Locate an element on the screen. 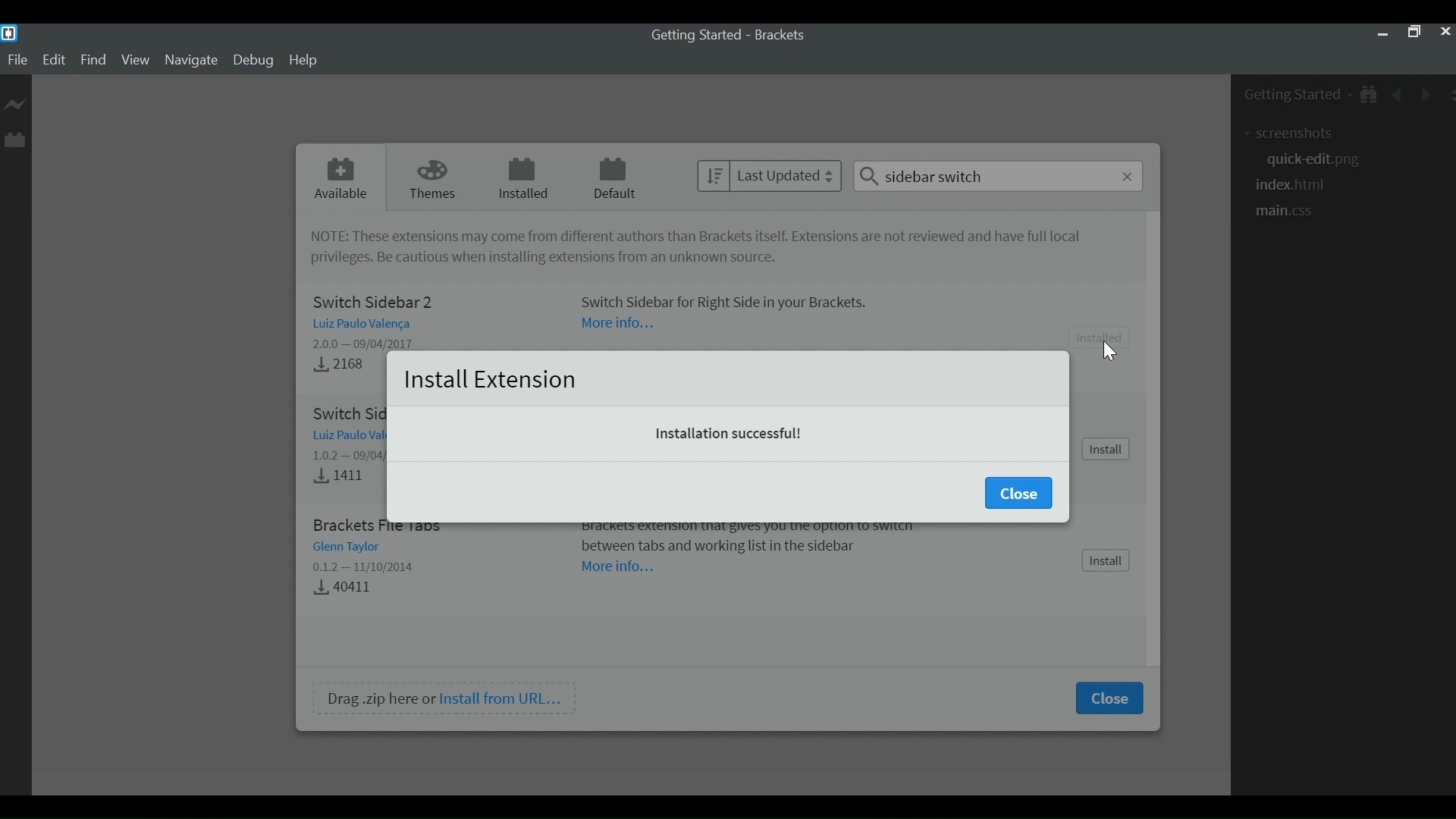 Image resolution: width=1456 pixels, height=819 pixels. Navigate Back is located at coordinates (1398, 93).